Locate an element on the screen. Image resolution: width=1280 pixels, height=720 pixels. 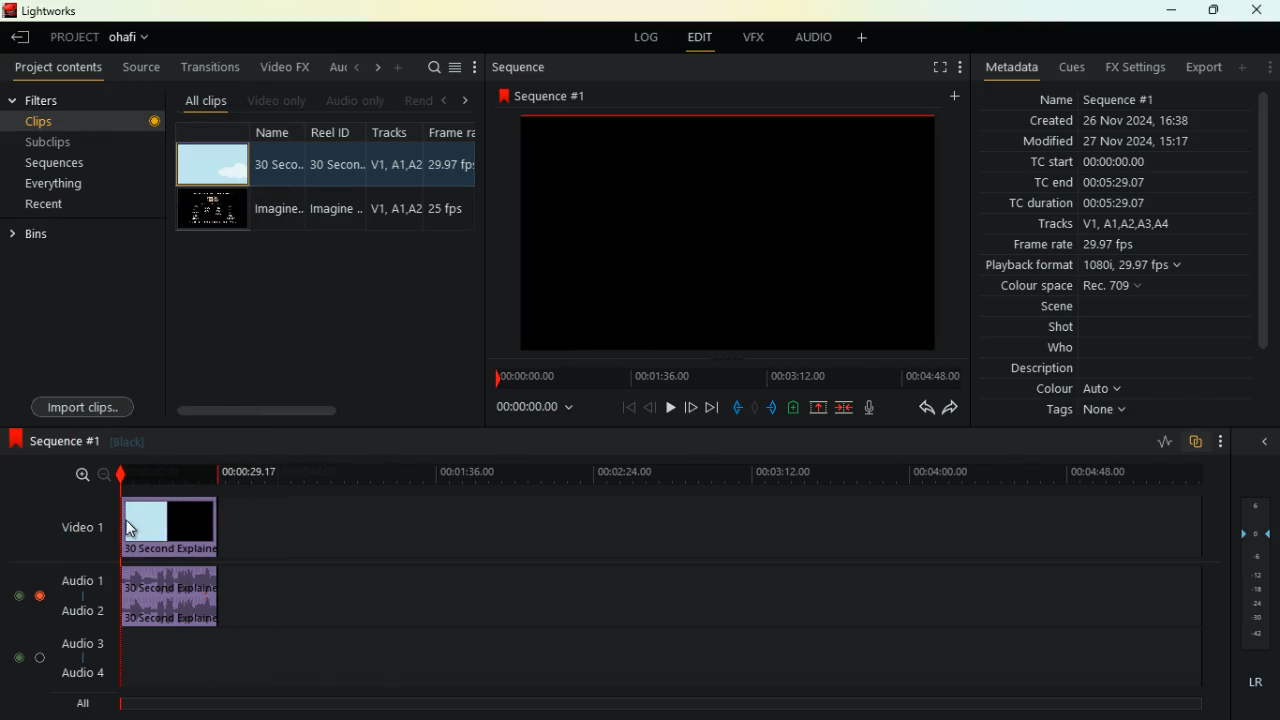
add is located at coordinates (959, 96).